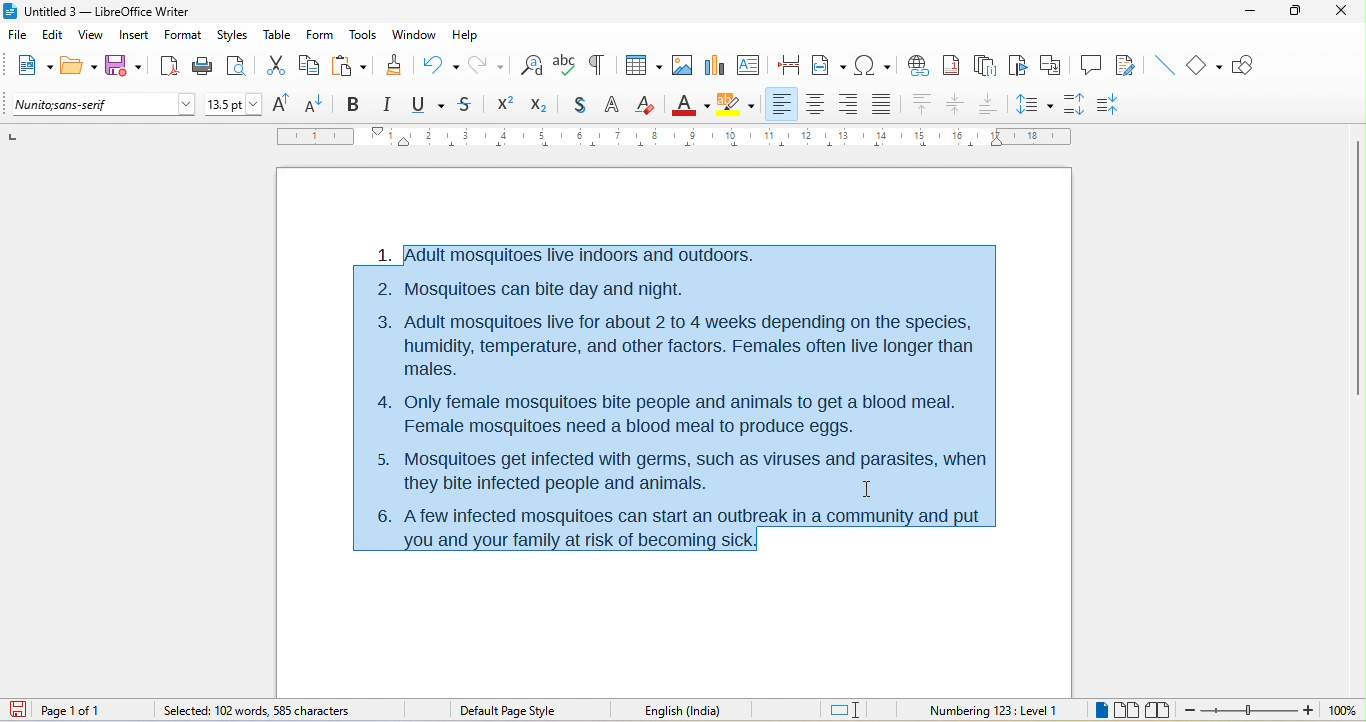  What do you see at coordinates (956, 106) in the screenshot?
I see `align center` at bounding box center [956, 106].